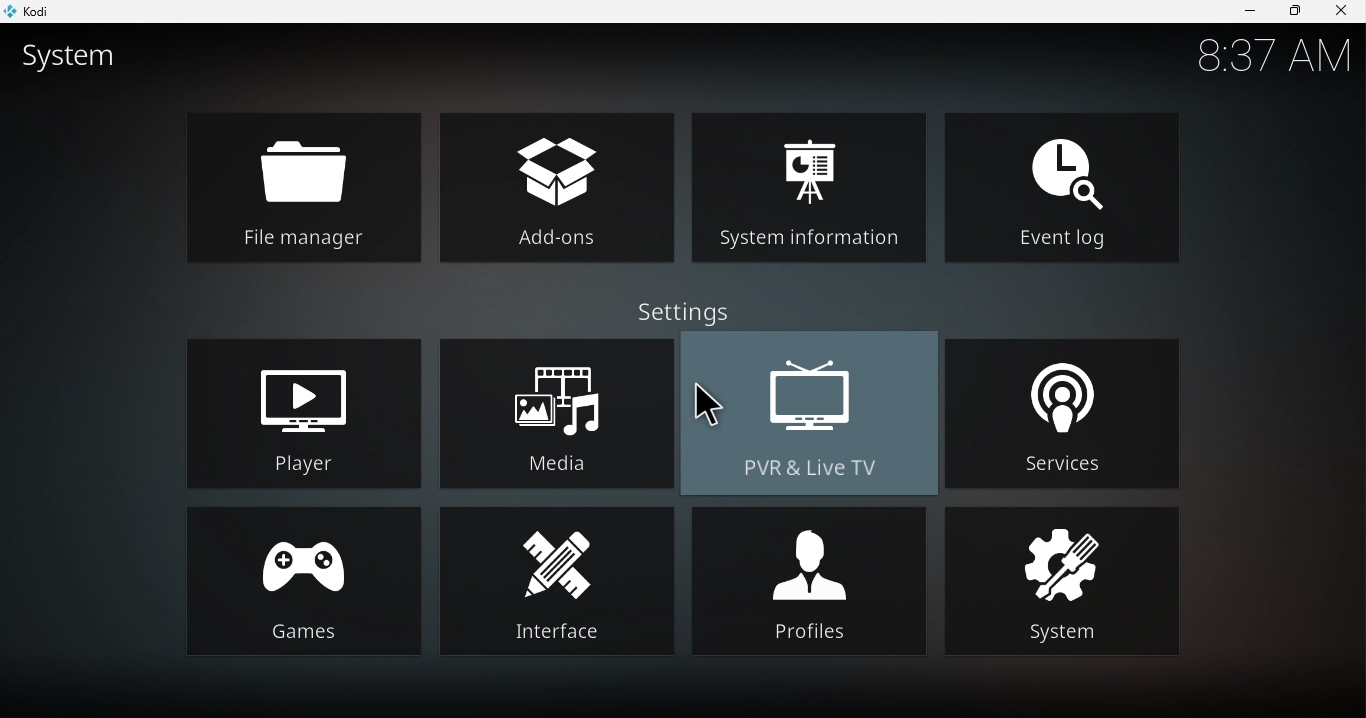  I want to click on System, so click(1059, 579).